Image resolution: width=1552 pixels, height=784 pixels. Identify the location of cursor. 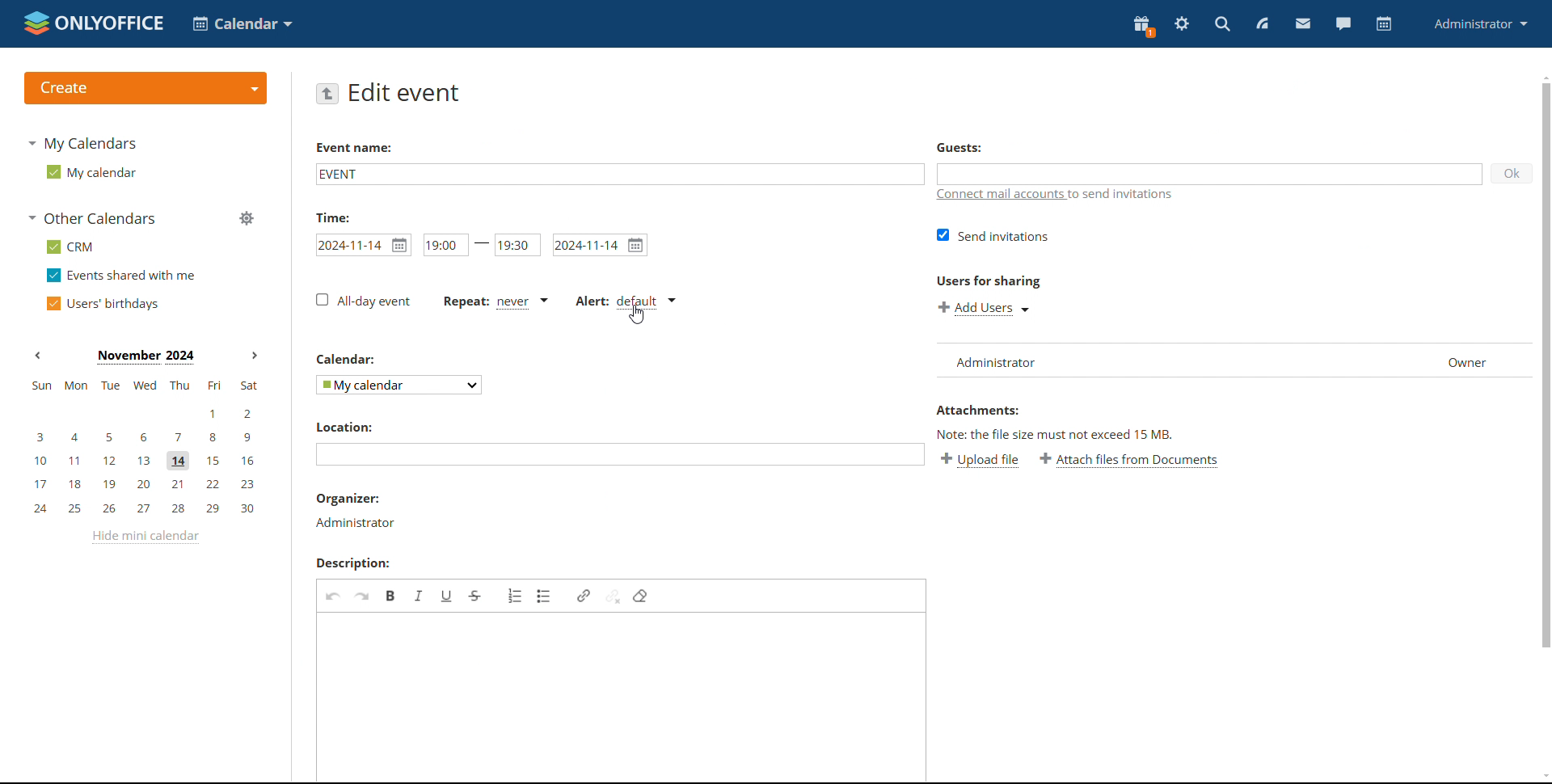
(639, 315).